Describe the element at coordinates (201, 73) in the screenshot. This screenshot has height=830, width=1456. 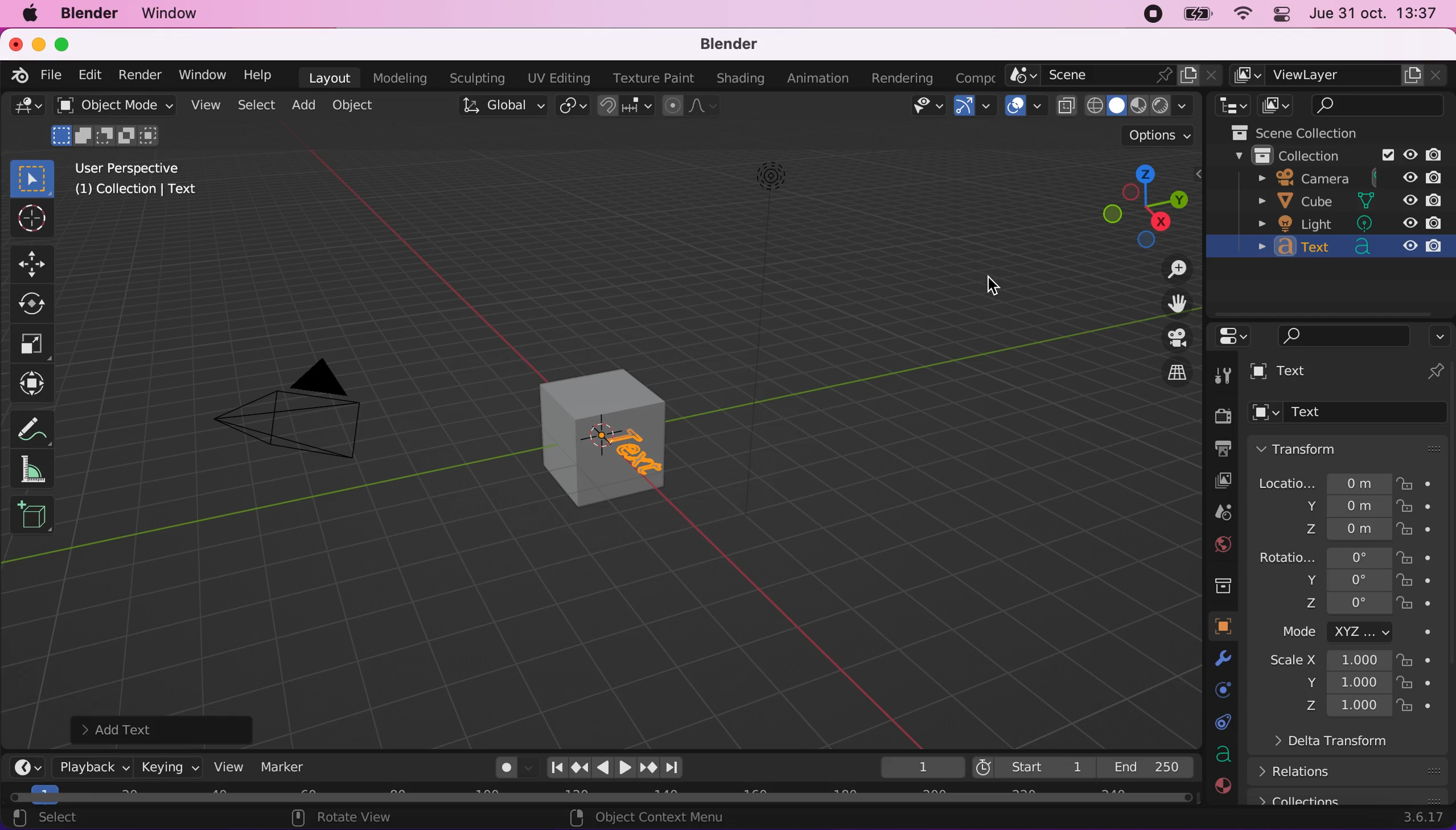
I see `window` at that location.